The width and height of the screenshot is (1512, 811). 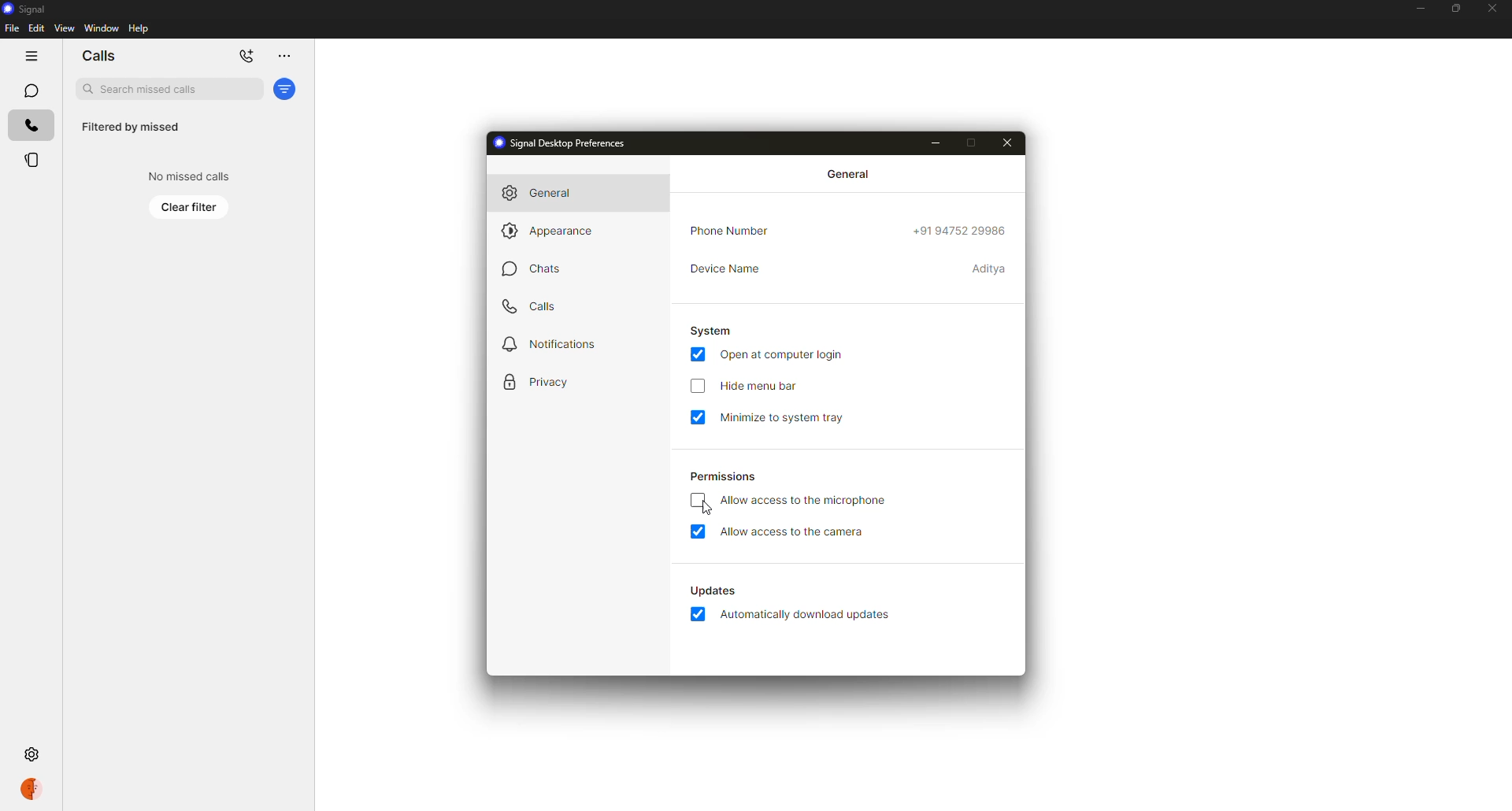 I want to click on open at computer login, so click(x=784, y=355).